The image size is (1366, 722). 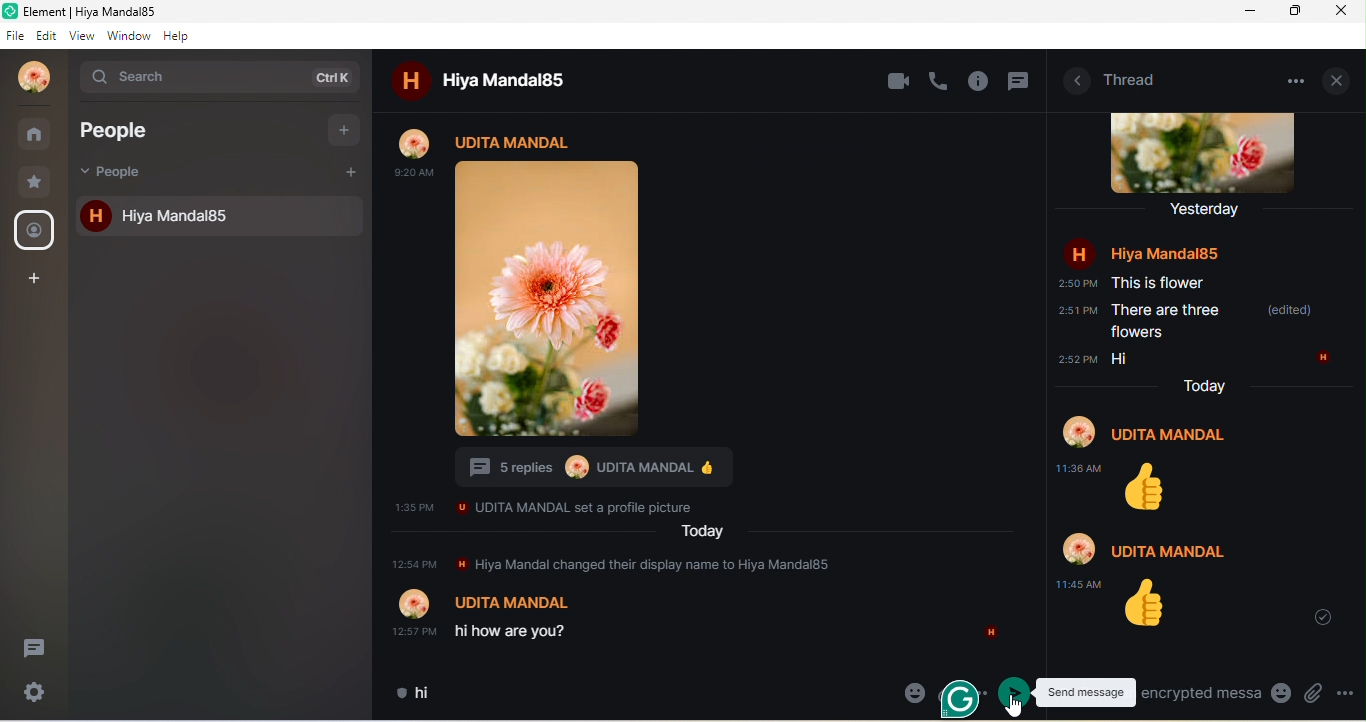 What do you see at coordinates (413, 173) in the screenshot?
I see `9:20 AM` at bounding box center [413, 173].